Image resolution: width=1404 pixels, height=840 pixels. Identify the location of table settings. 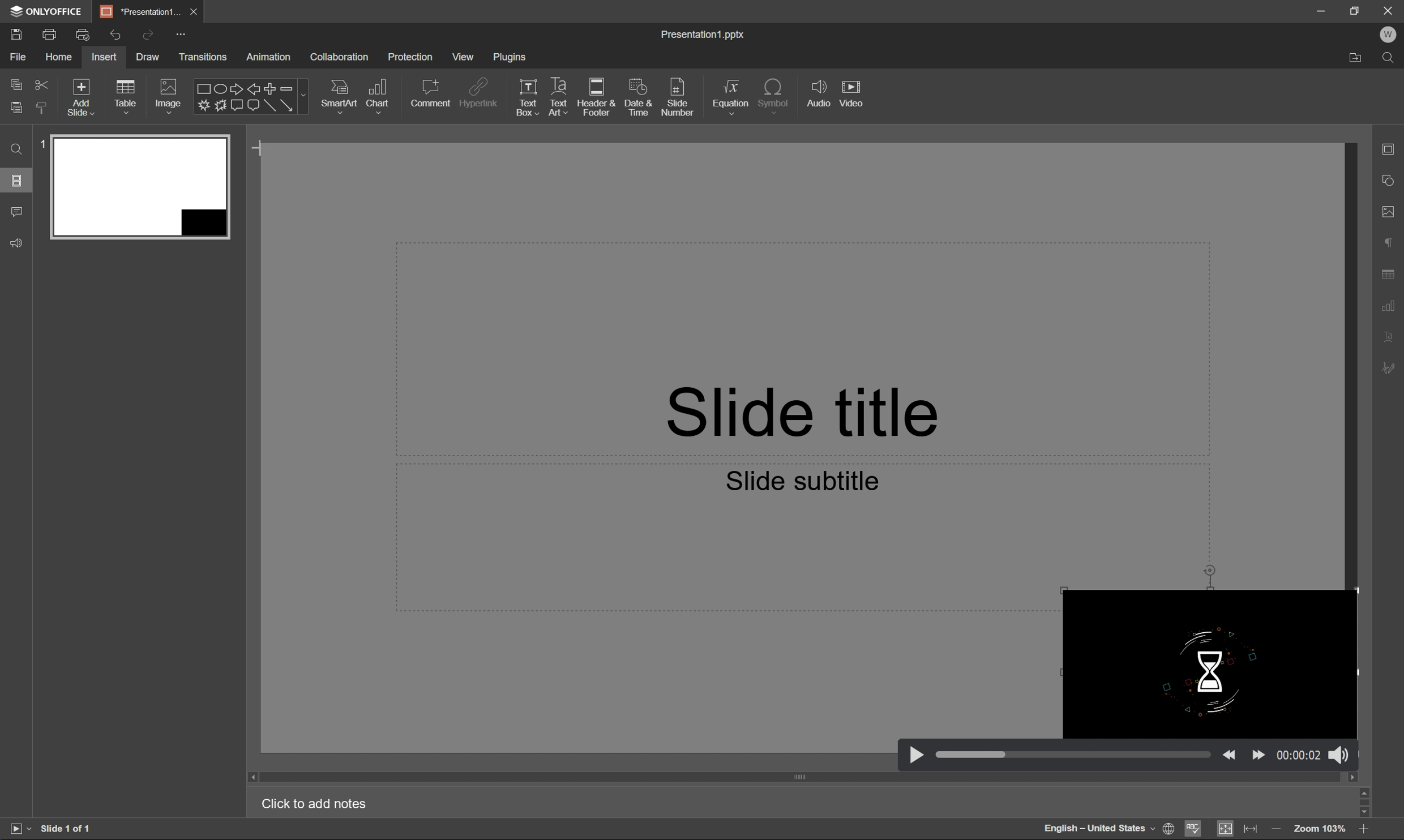
(1390, 273).